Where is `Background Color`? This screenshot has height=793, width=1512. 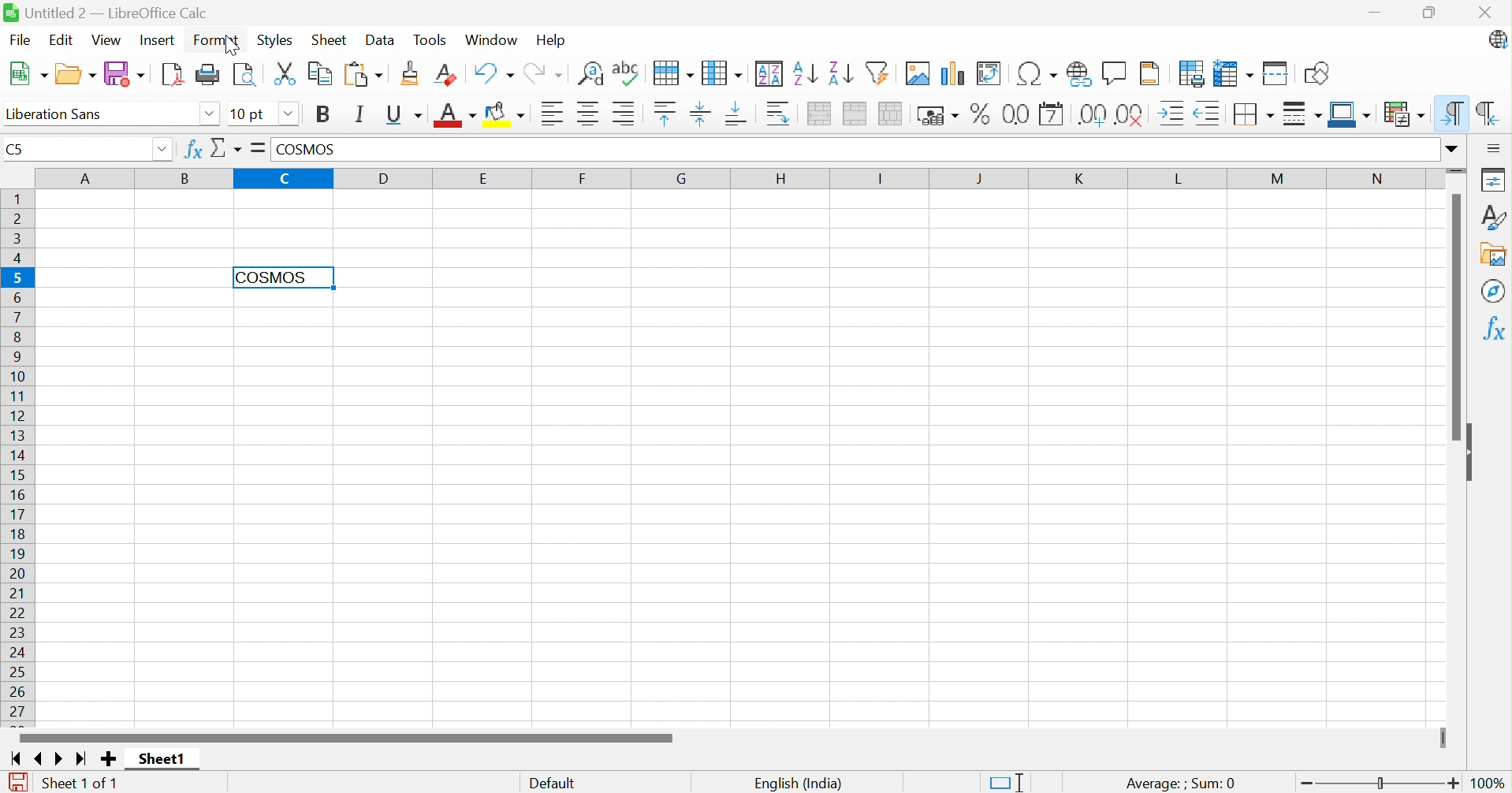 Background Color is located at coordinates (506, 115).